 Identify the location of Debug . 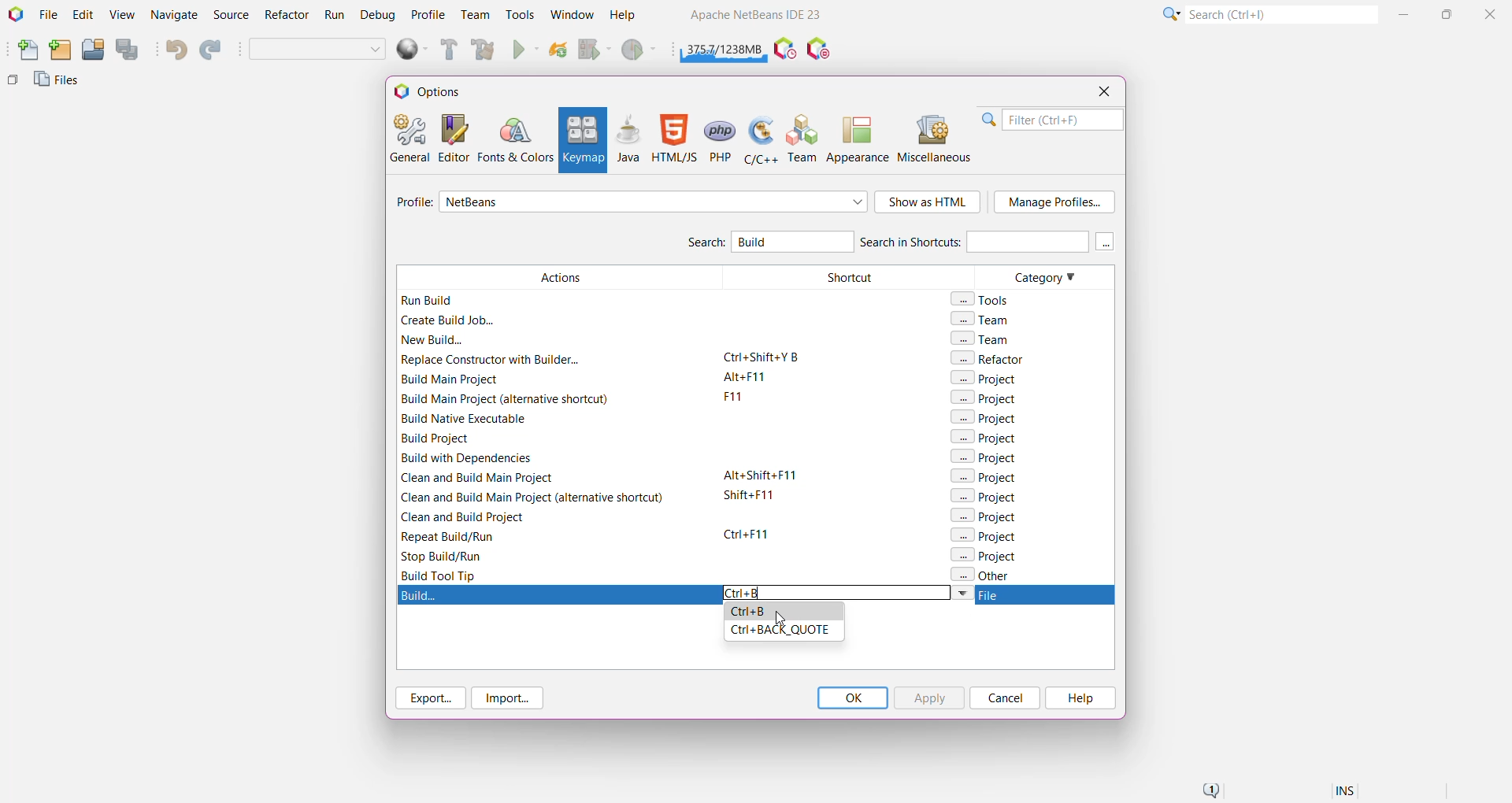
(376, 16).